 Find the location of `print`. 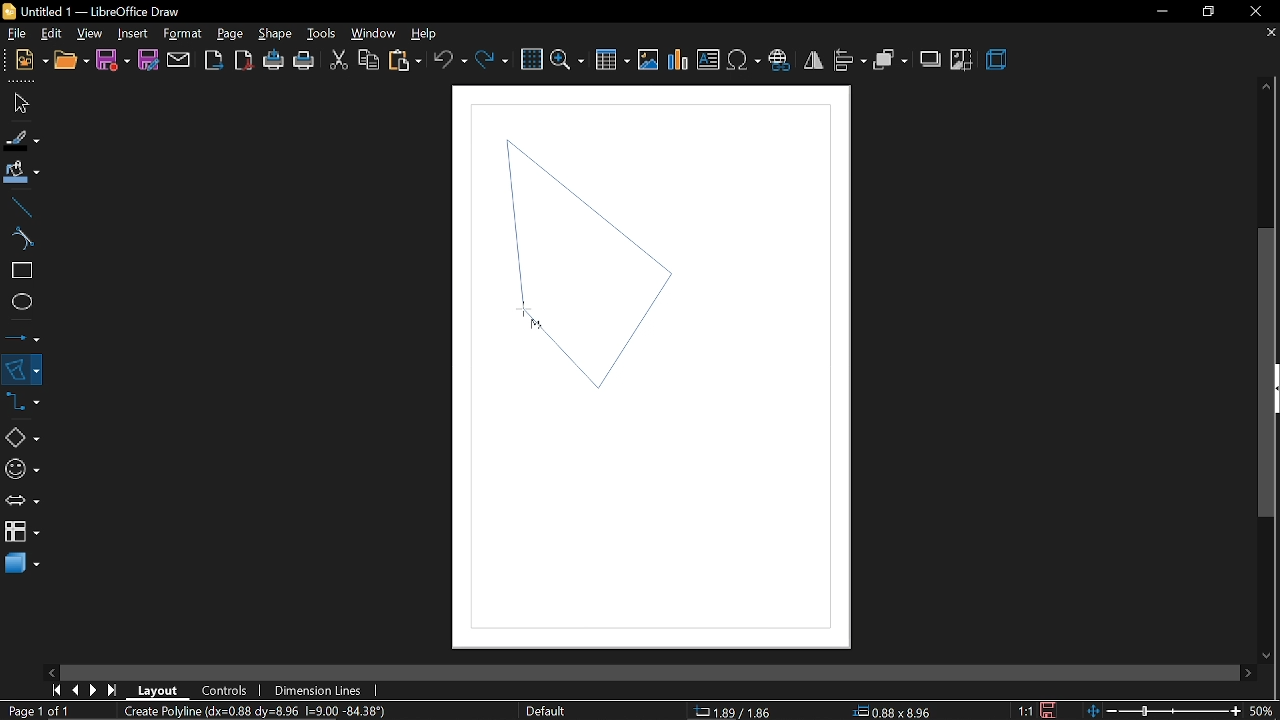

print is located at coordinates (305, 61).